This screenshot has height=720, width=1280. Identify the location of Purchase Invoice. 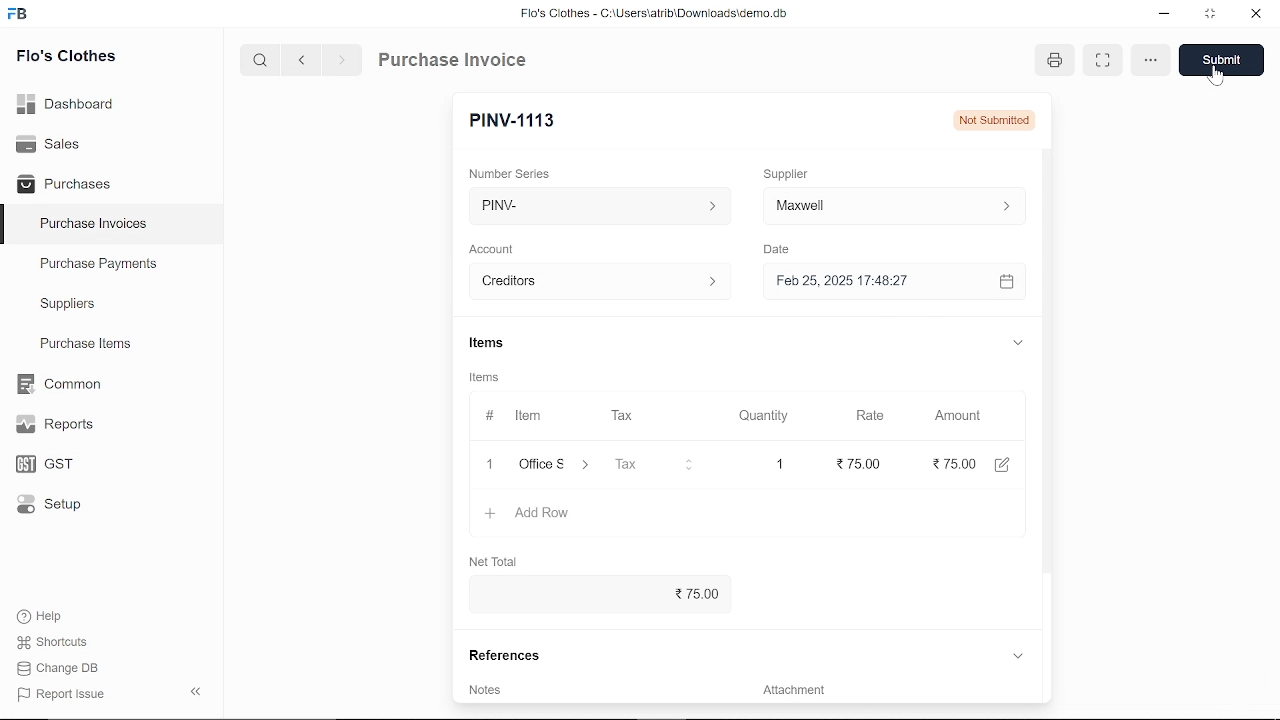
(456, 62).